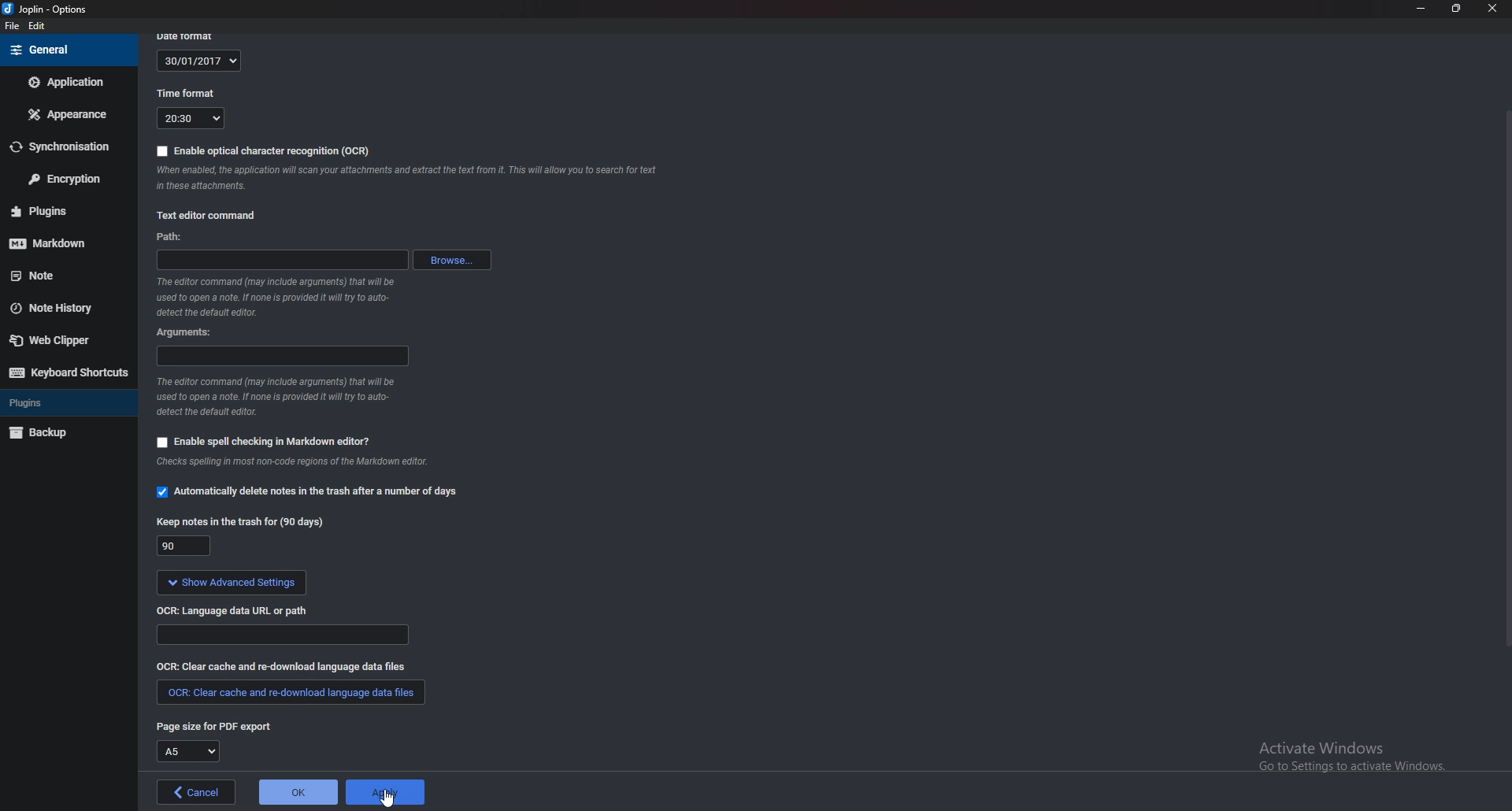 This screenshot has height=811, width=1512. Describe the element at coordinates (37, 27) in the screenshot. I see `Edit` at that location.